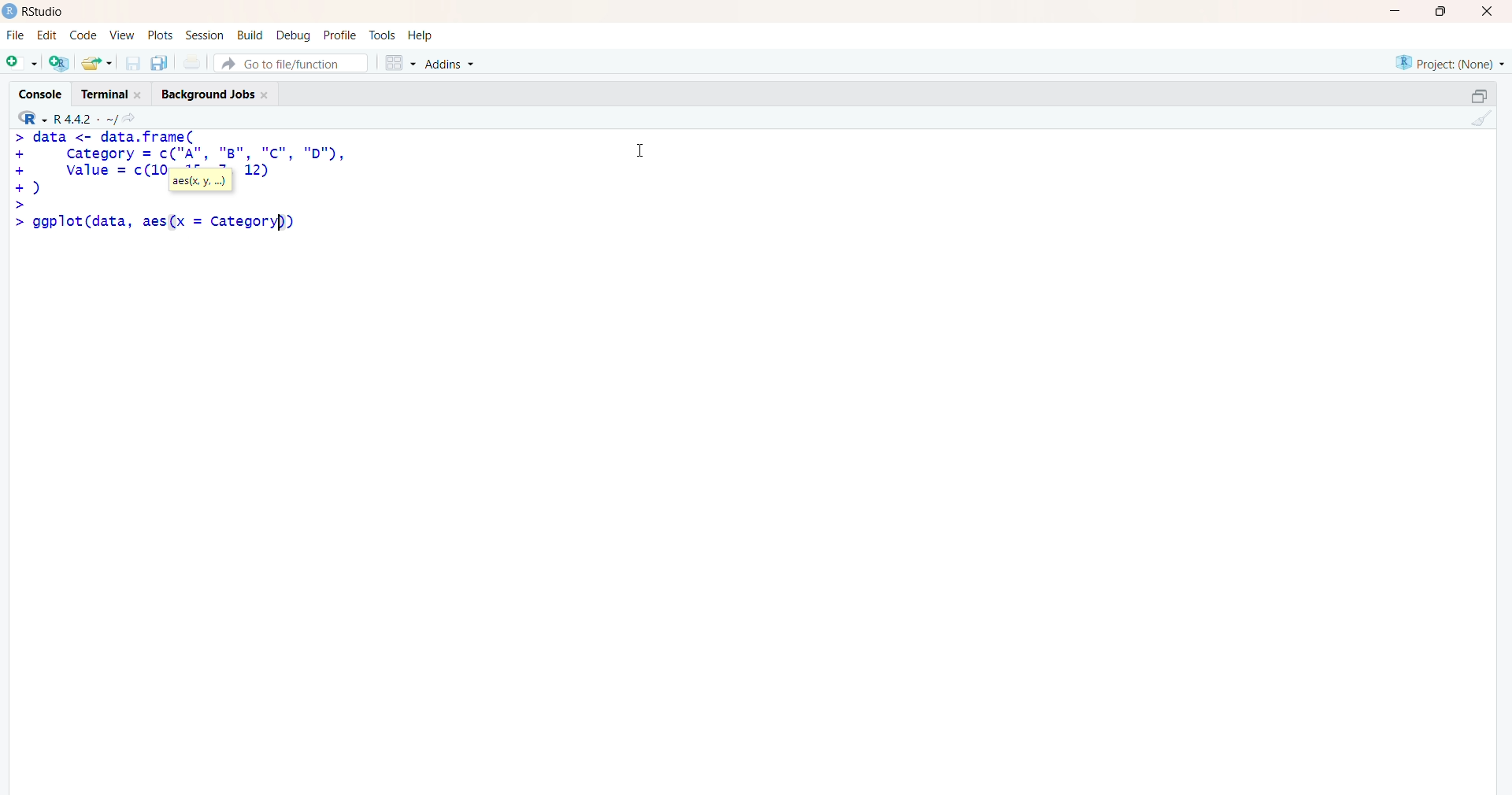  I want to click on print current file, so click(190, 62).